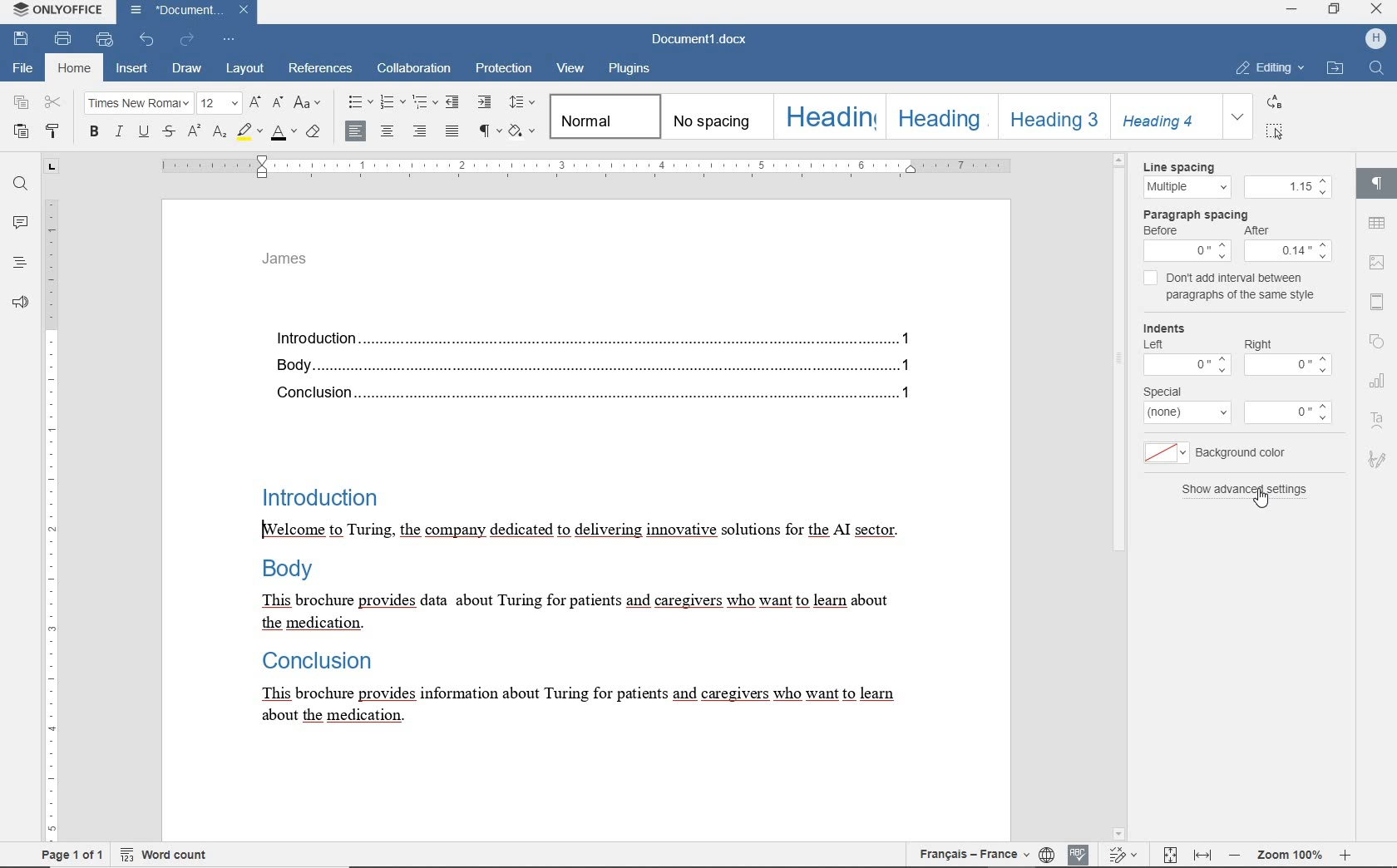 The image size is (1397, 868). I want to click on open file location, so click(1335, 70).